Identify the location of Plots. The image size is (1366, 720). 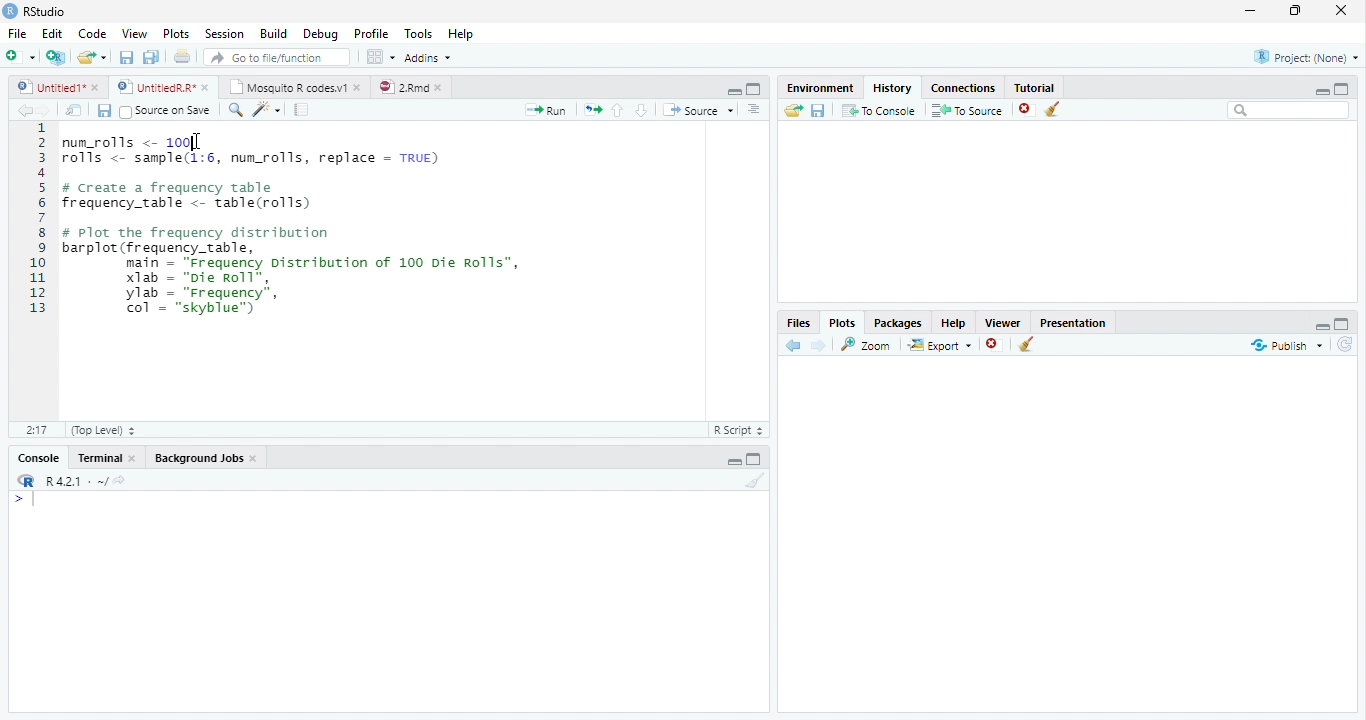
(177, 32).